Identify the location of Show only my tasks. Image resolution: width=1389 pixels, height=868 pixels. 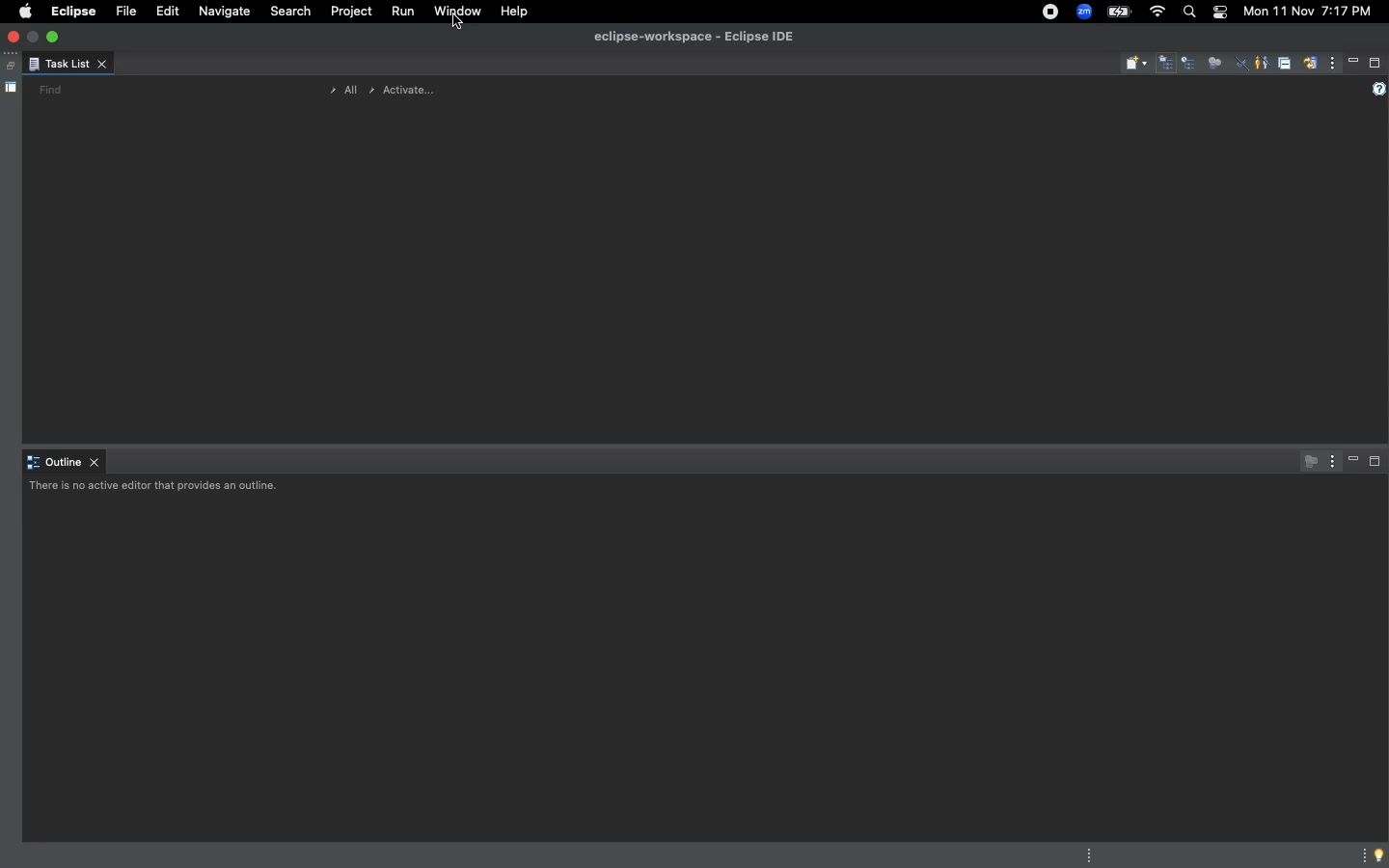
(1261, 62).